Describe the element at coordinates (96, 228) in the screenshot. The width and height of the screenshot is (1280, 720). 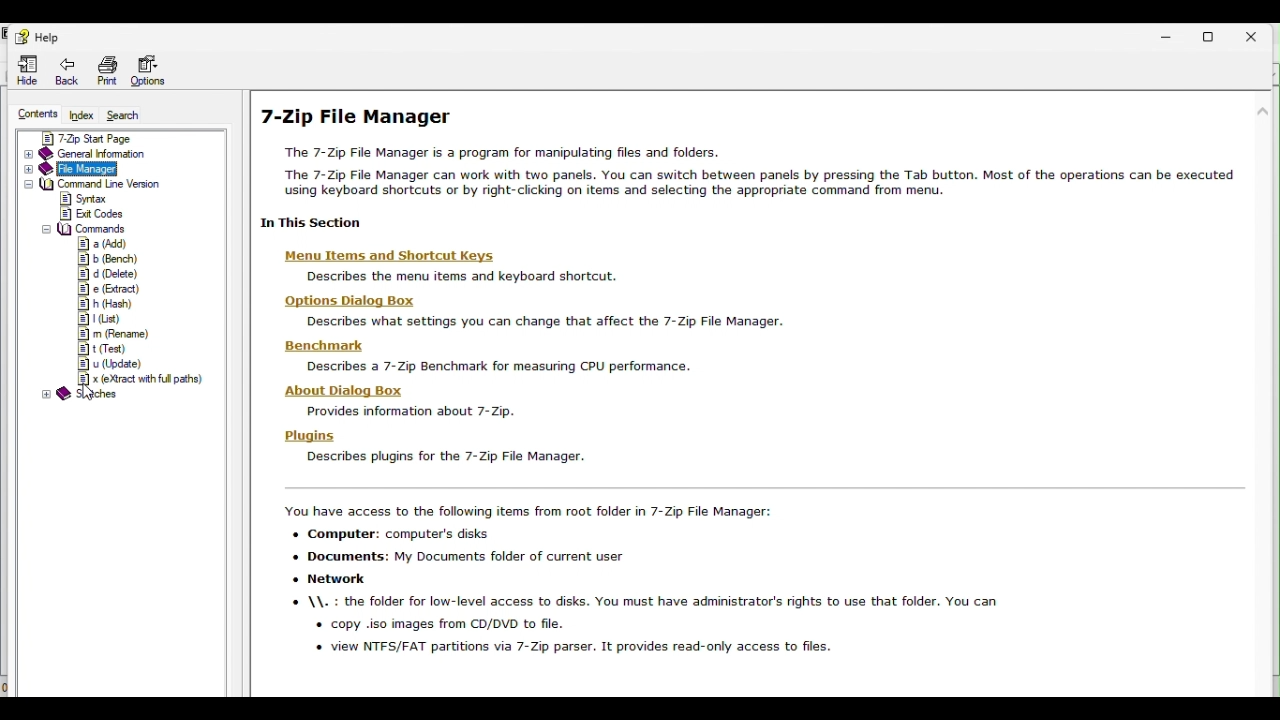
I see `Commands` at that location.